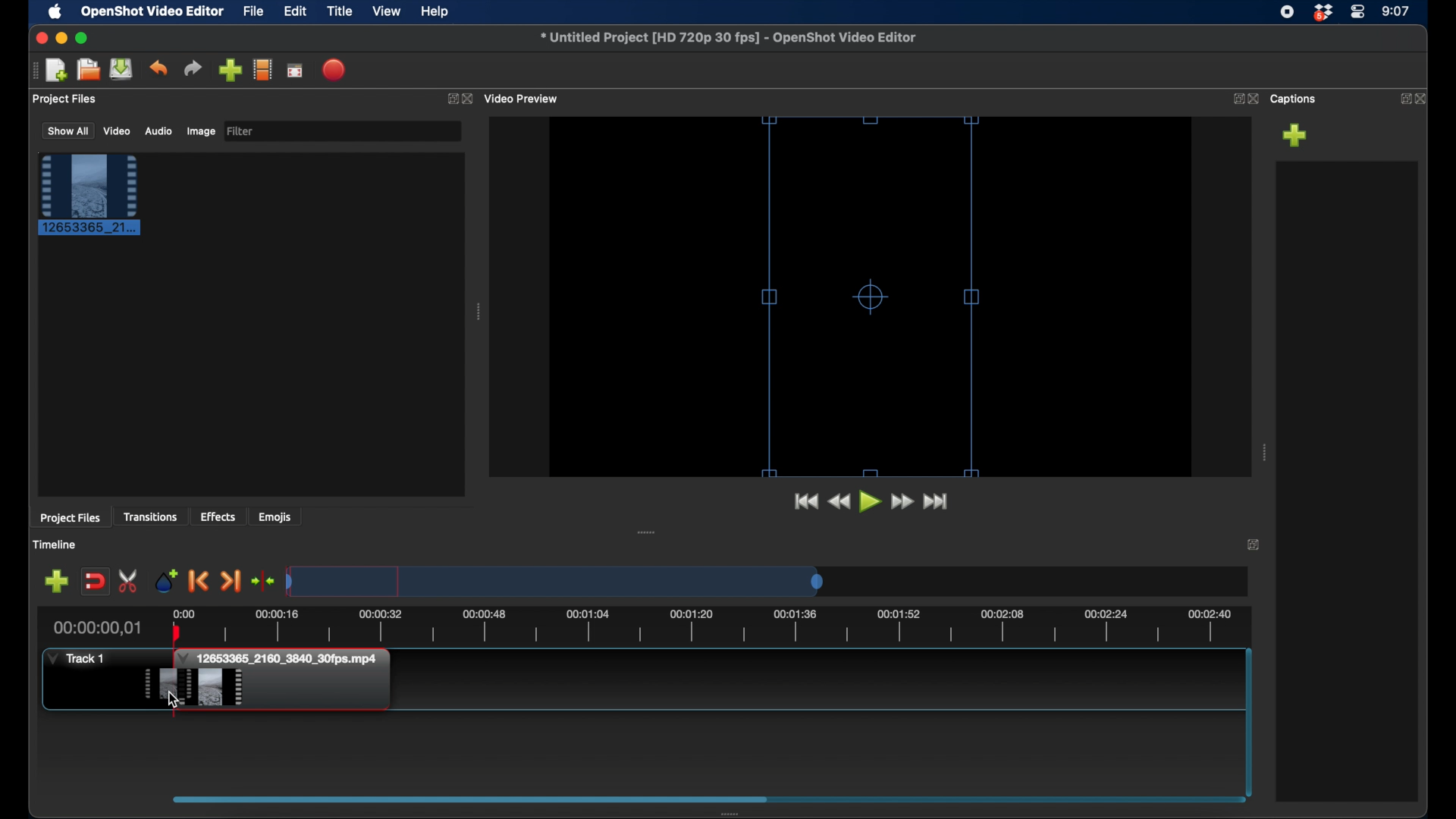  What do you see at coordinates (295, 71) in the screenshot?
I see `full screen` at bounding box center [295, 71].